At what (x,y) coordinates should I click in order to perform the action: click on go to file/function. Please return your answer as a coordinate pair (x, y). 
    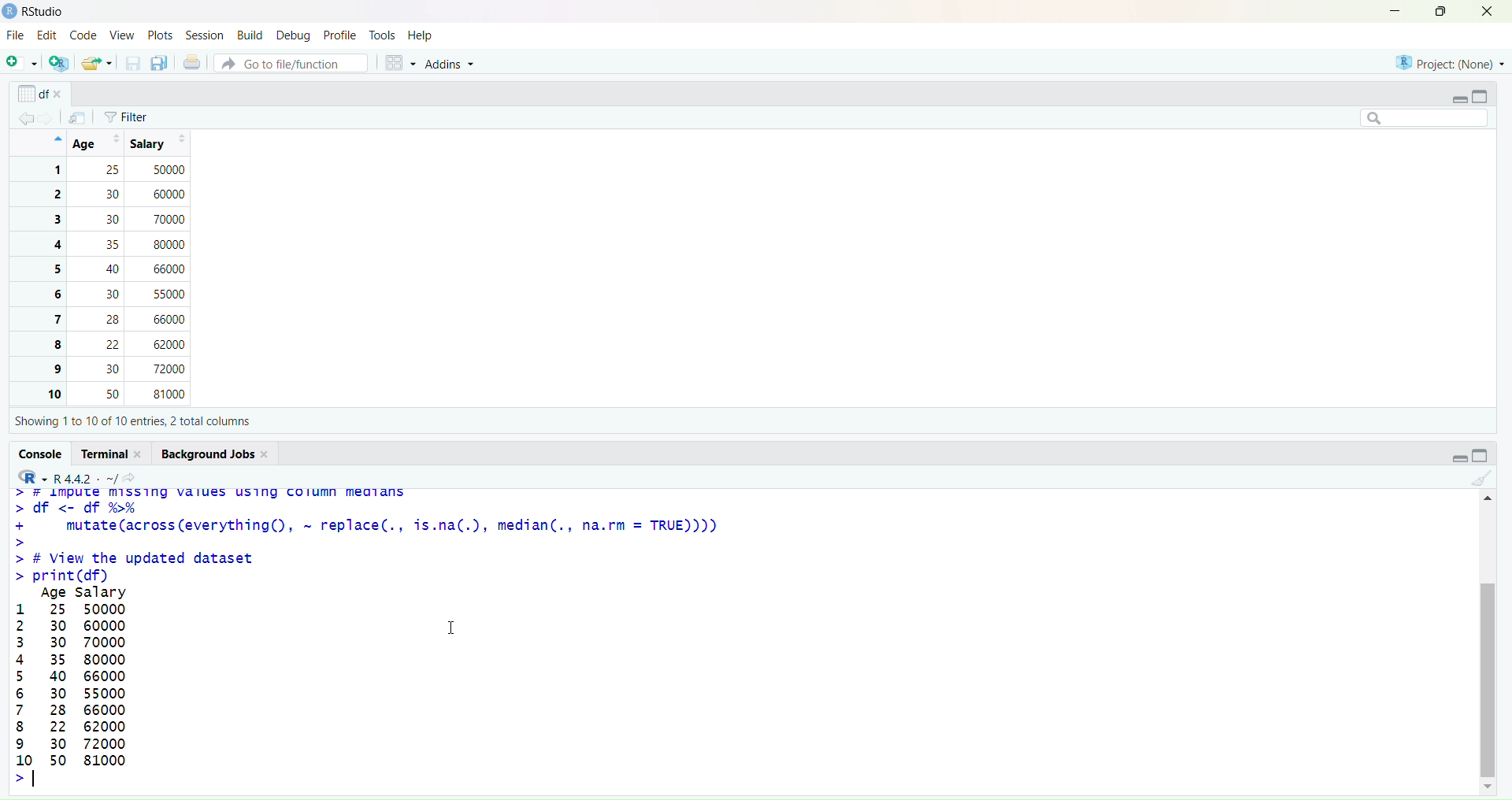
    Looking at the image, I should click on (290, 64).